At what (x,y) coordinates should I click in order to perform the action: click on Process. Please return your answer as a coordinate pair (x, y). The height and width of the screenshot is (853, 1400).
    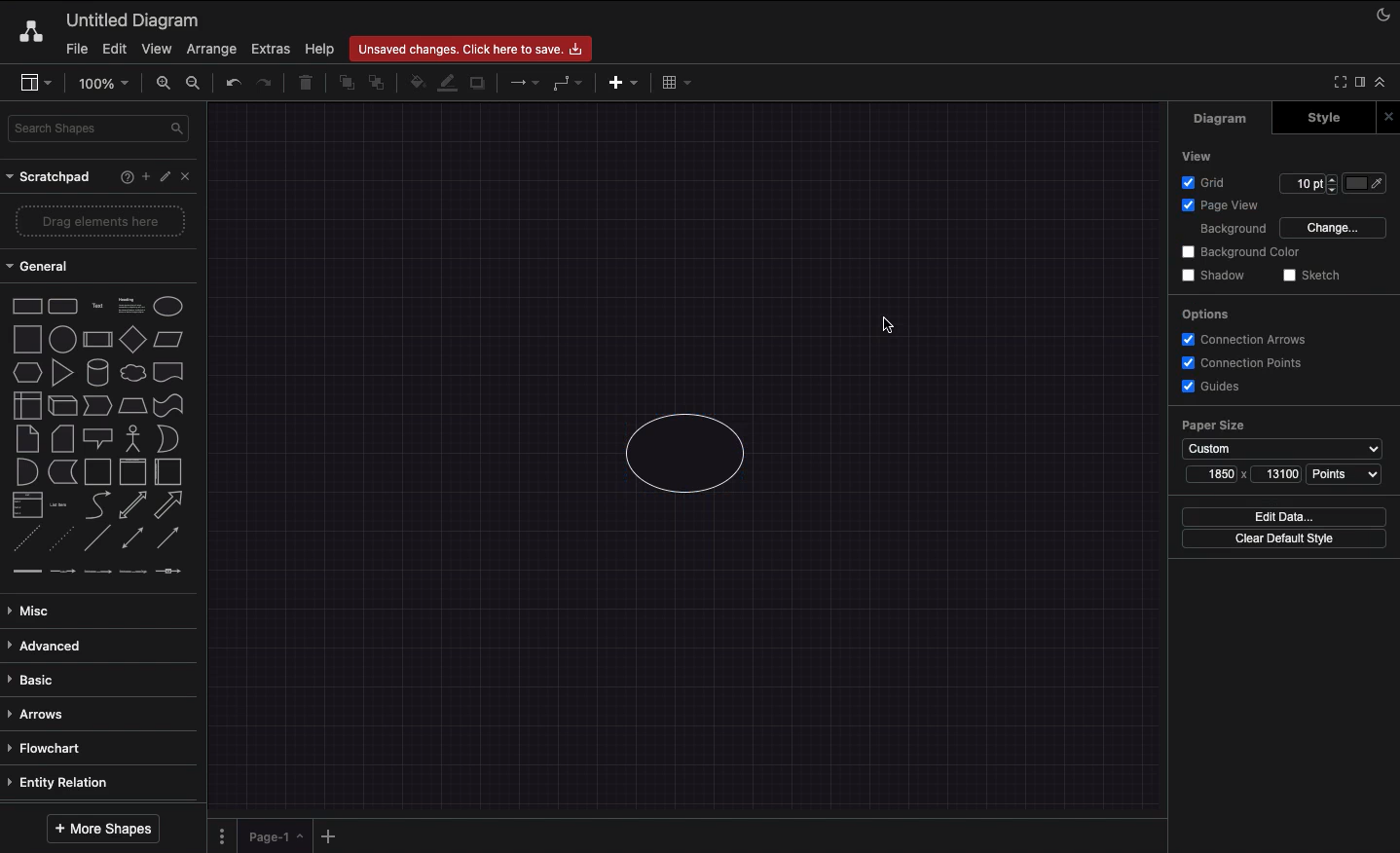
    Looking at the image, I should click on (95, 341).